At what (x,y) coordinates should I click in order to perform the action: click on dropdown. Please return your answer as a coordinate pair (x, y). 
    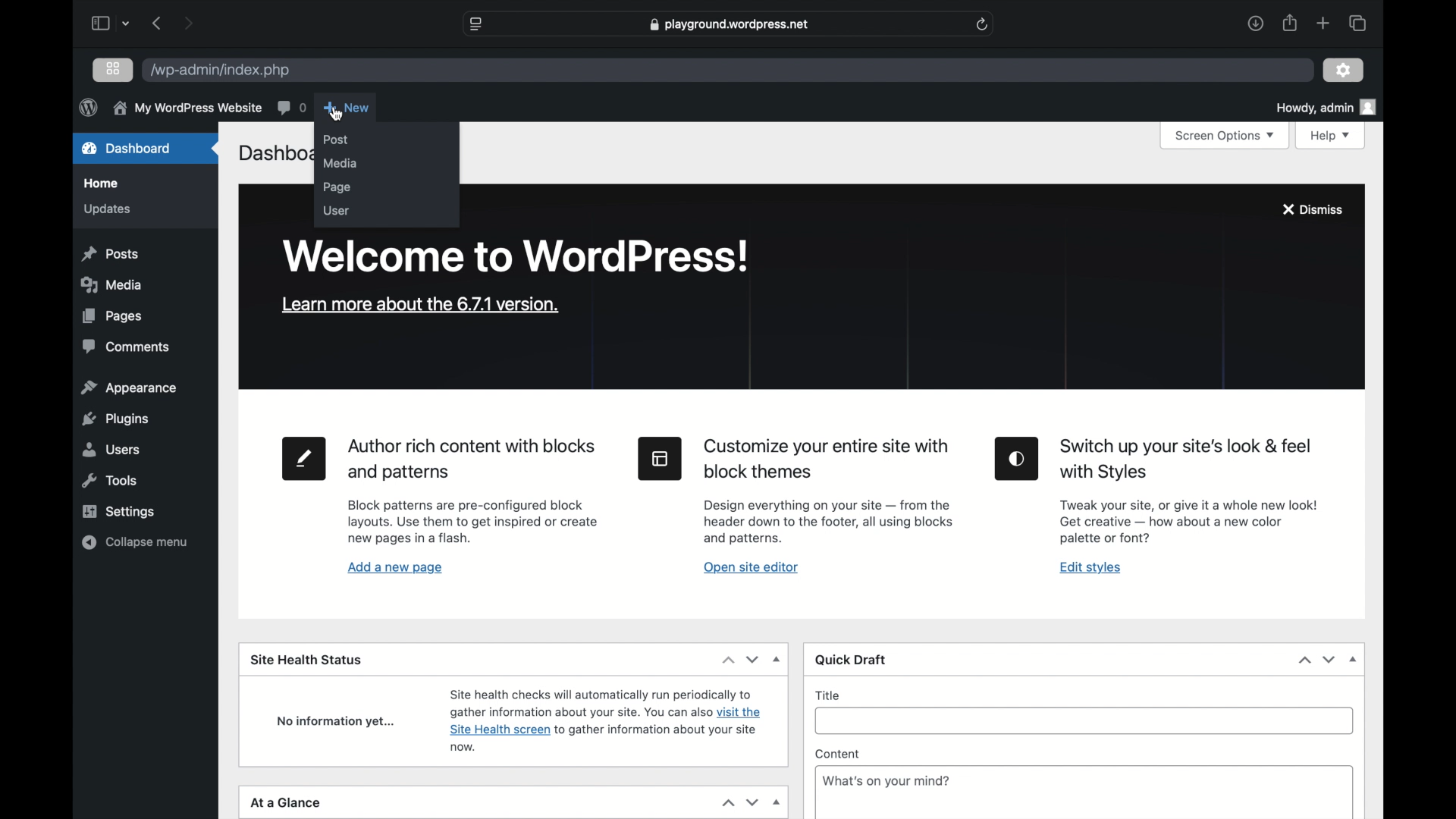
    Looking at the image, I should click on (778, 659).